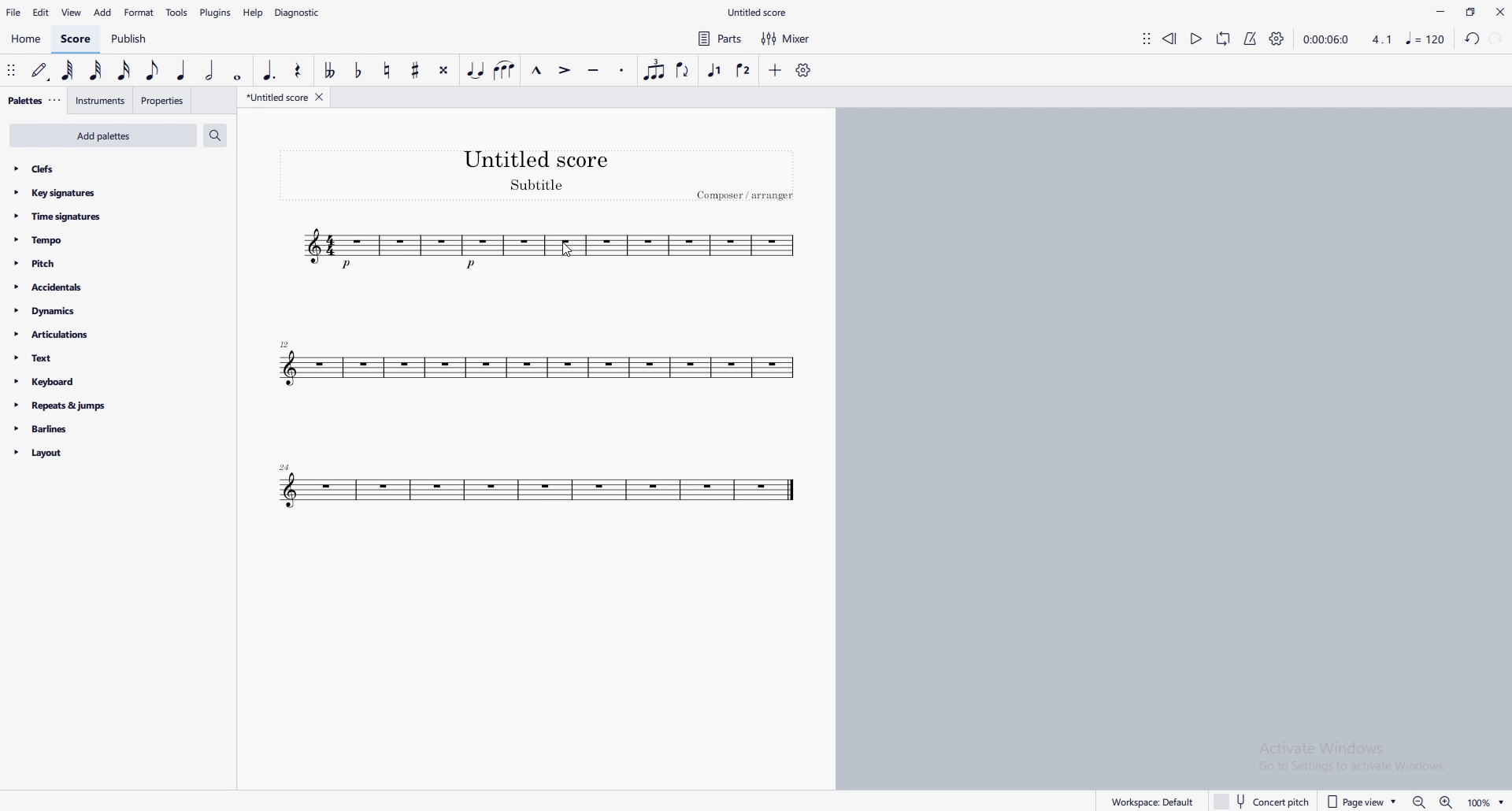 The height and width of the screenshot is (811, 1512). I want to click on file name, so click(758, 12).